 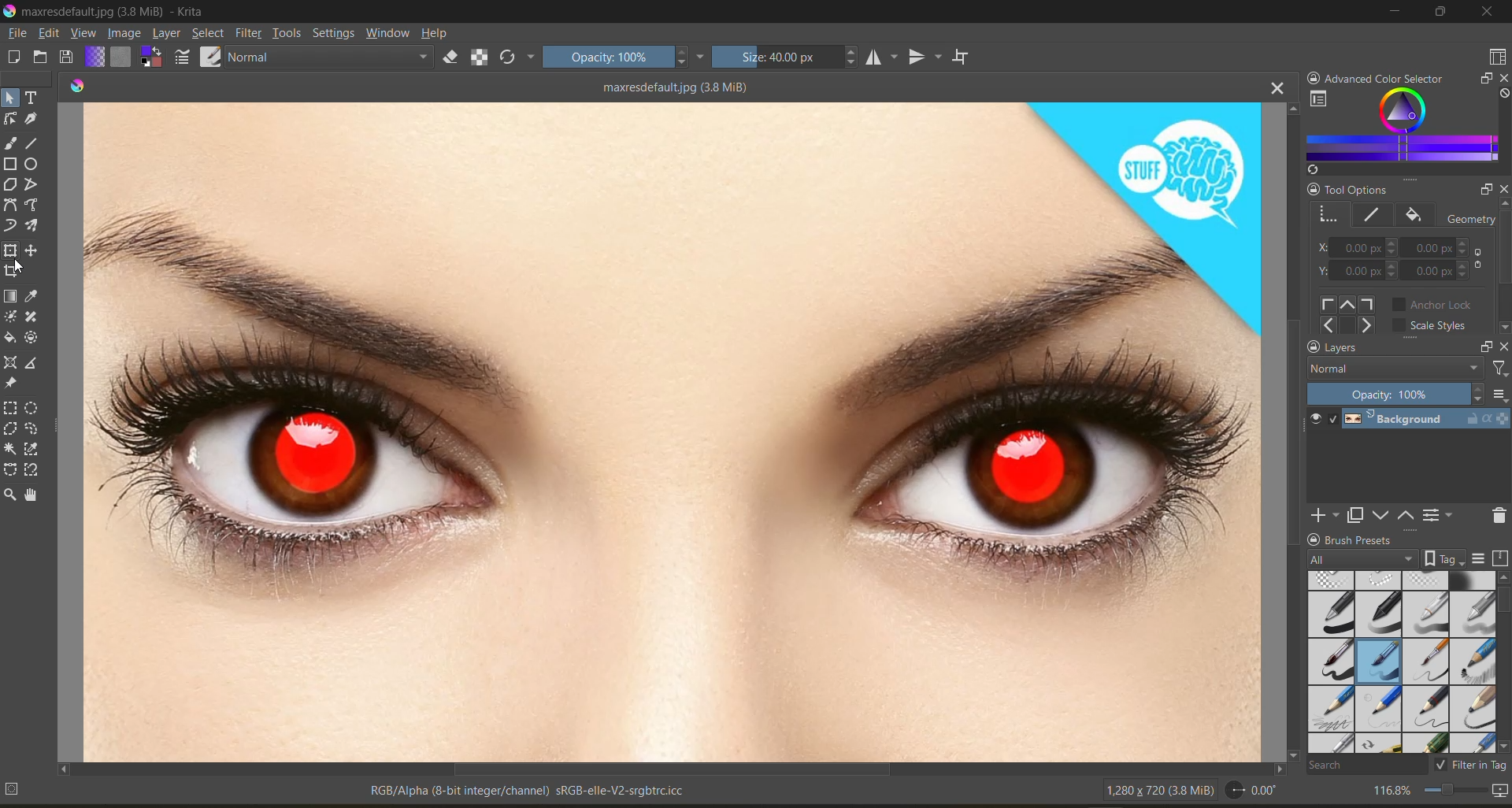 What do you see at coordinates (169, 34) in the screenshot?
I see `layer` at bounding box center [169, 34].